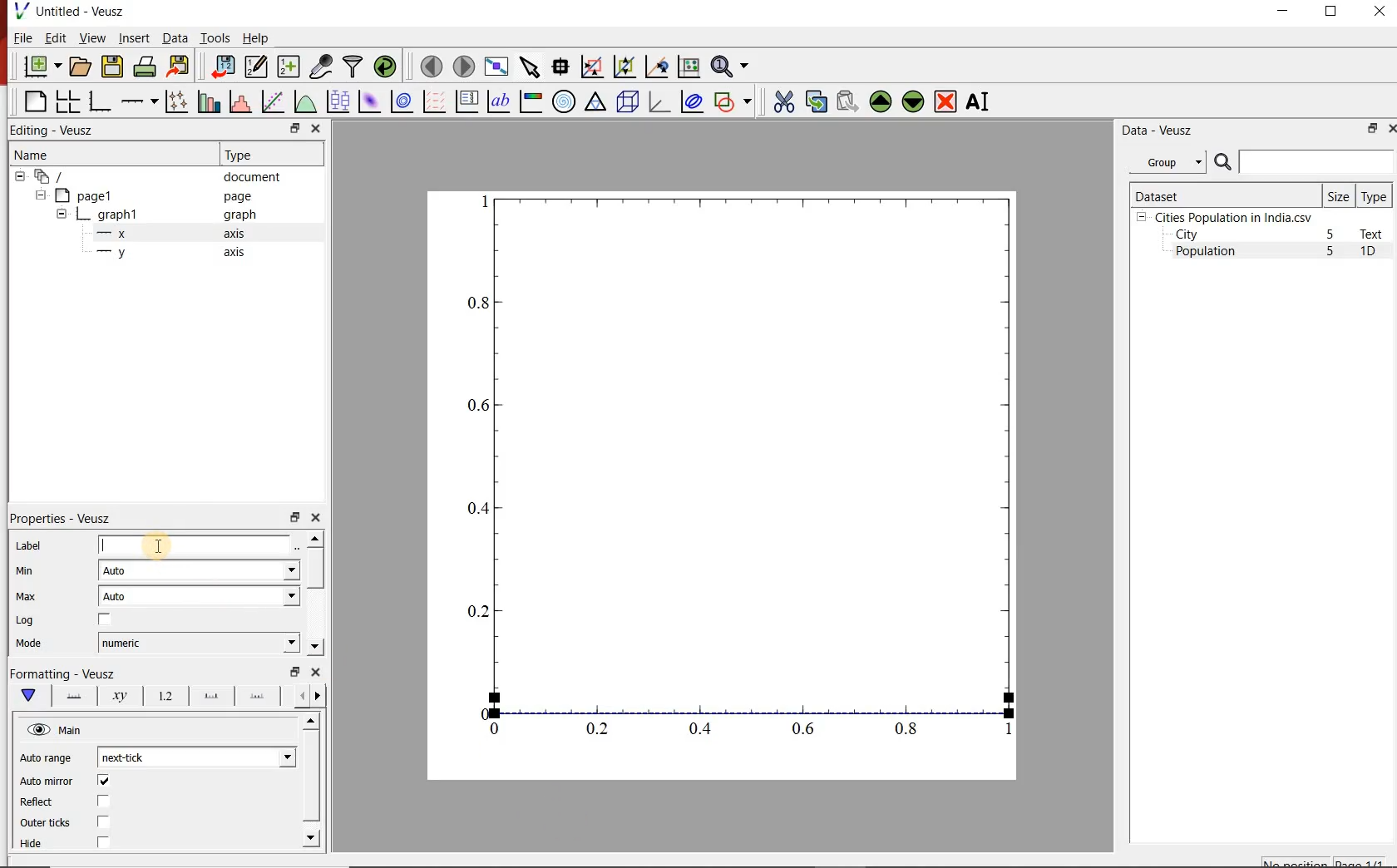 This screenshot has width=1397, height=868. What do you see at coordinates (1390, 128) in the screenshot?
I see `close` at bounding box center [1390, 128].